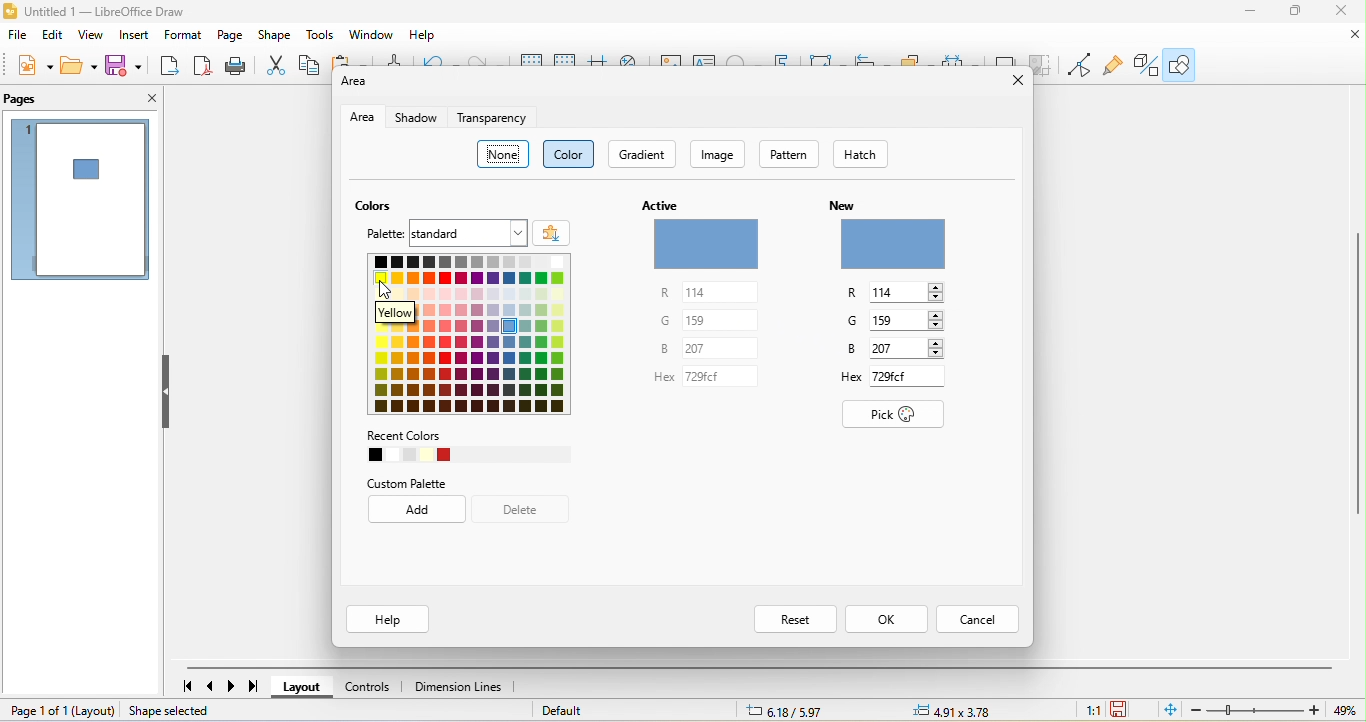 The image size is (1366, 722). What do you see at coordinates (901, 294) in the screenshot?
I see `r 114` at bounding box center [901, 294].